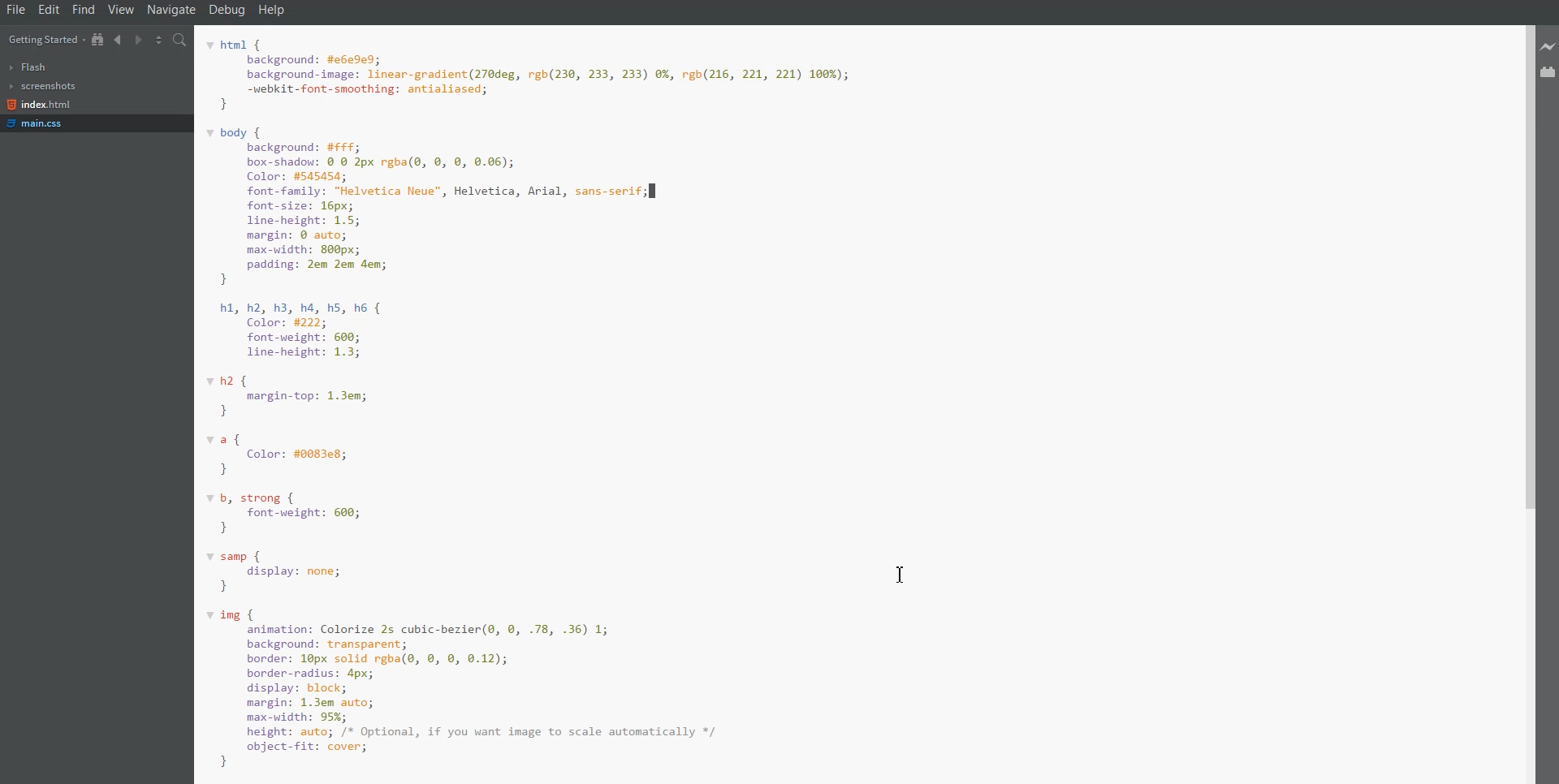 The height and width of the screenshot is (784, 1559). What do you see at coordinates (45, 39) in the screenshot?
I see `Getting Started` at bounding box center [45, 39].